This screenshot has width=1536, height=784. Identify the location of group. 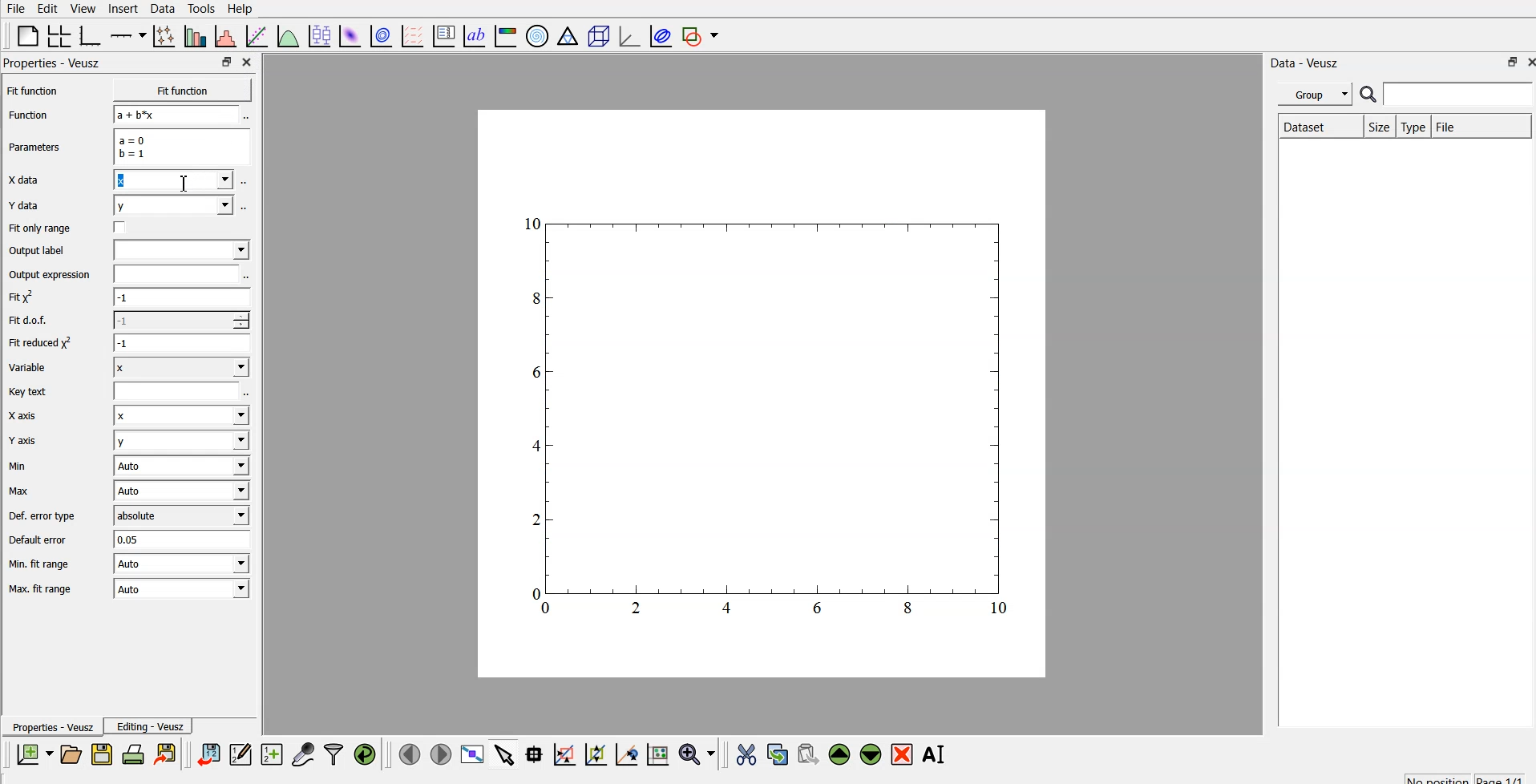
(1317, 95).